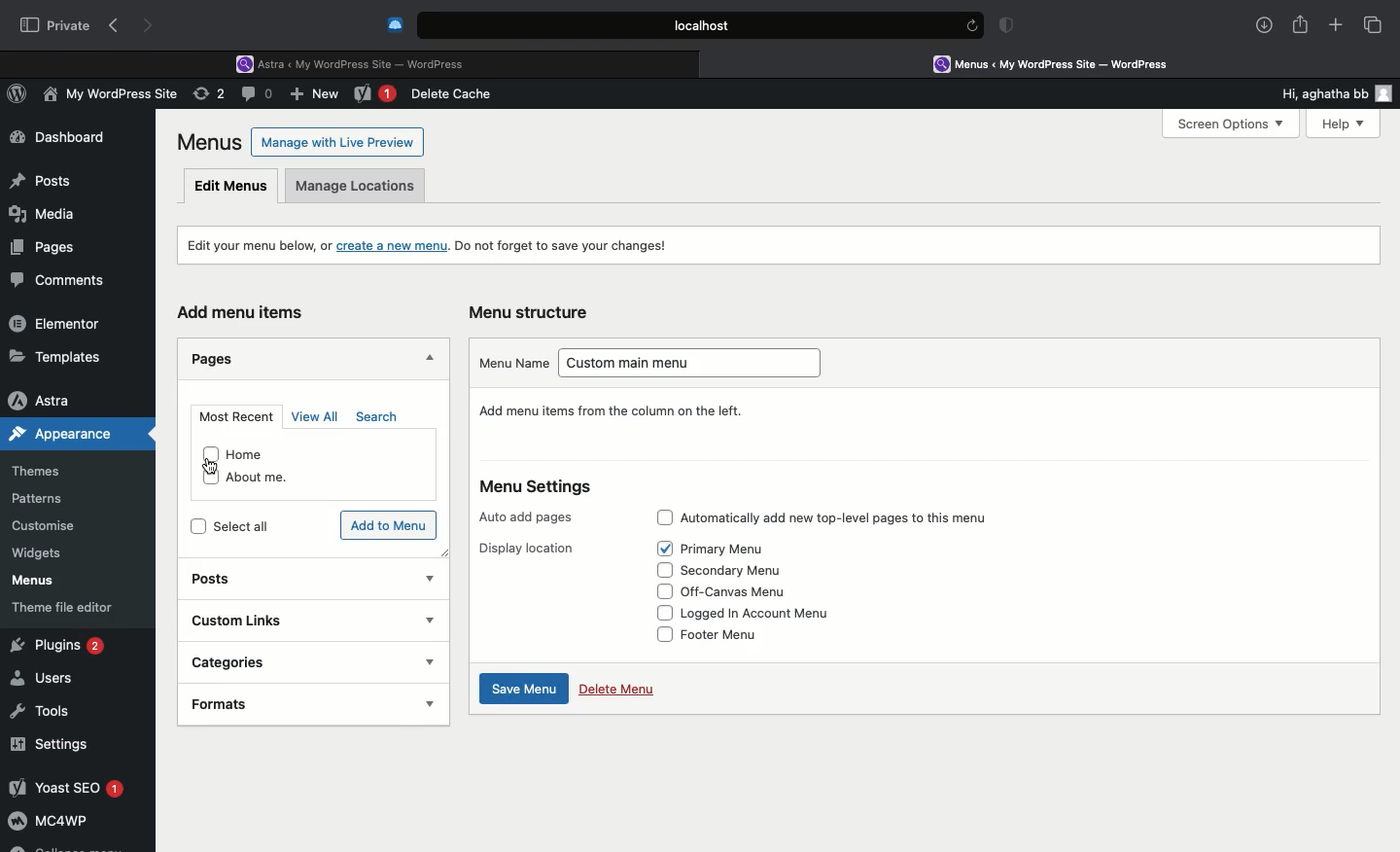 This screenshot has height=852, width=1400. Describe the element at coordinates (1265, 25) in the screenshot. I see `Download` at that location.